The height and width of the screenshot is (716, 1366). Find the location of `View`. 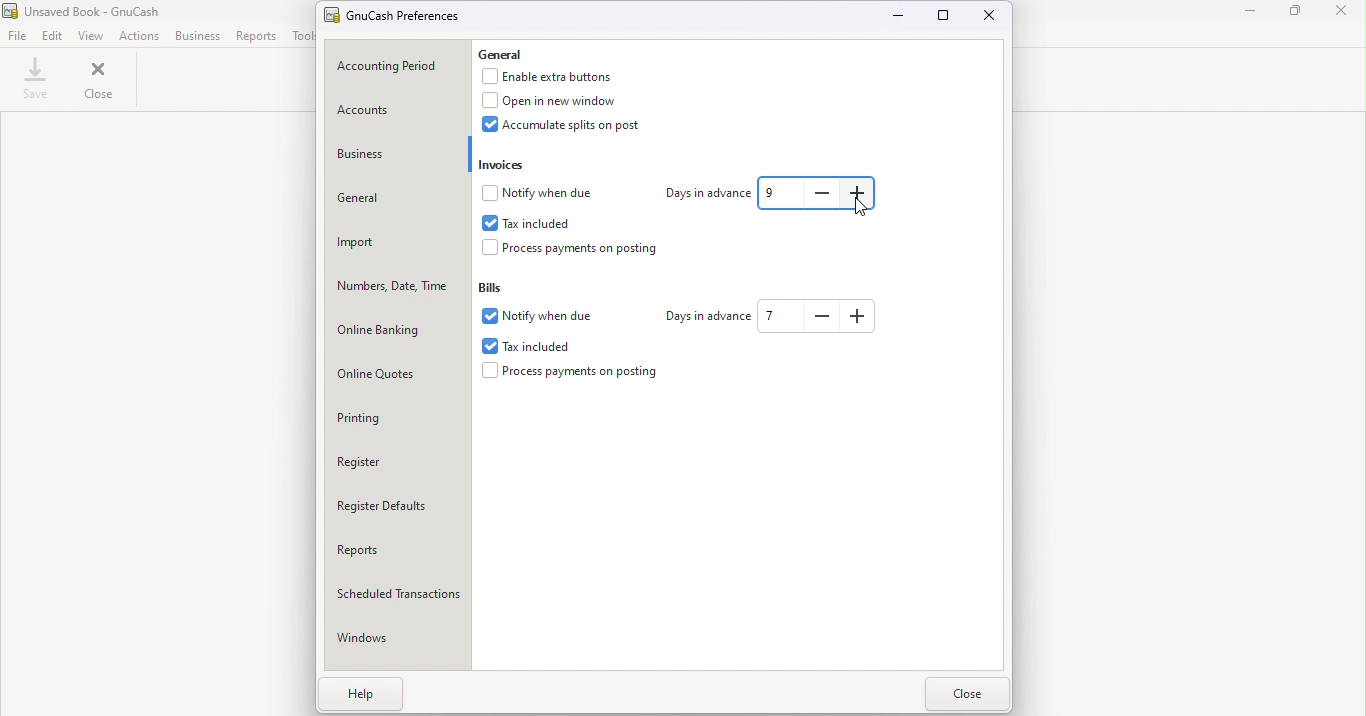

View is located at coordinates (92, 35).